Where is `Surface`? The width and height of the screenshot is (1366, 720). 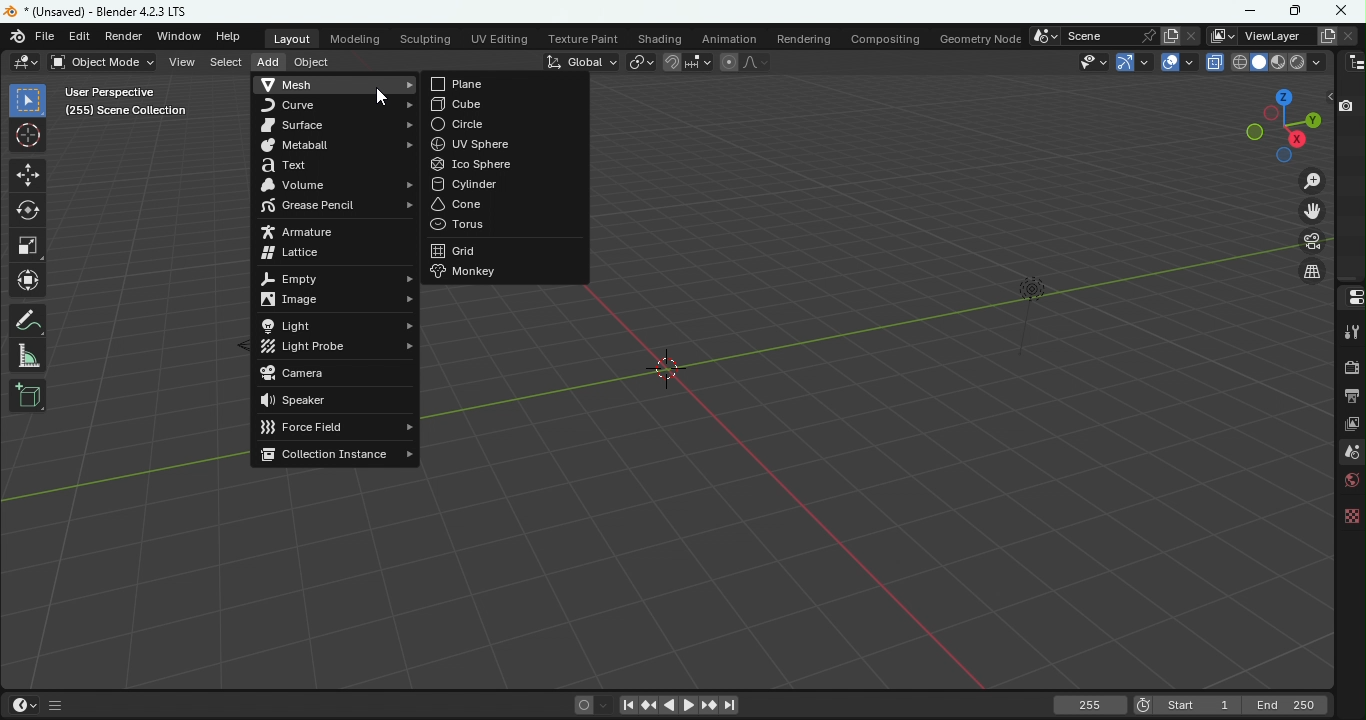
Surface is located at coordinates (338, 127).